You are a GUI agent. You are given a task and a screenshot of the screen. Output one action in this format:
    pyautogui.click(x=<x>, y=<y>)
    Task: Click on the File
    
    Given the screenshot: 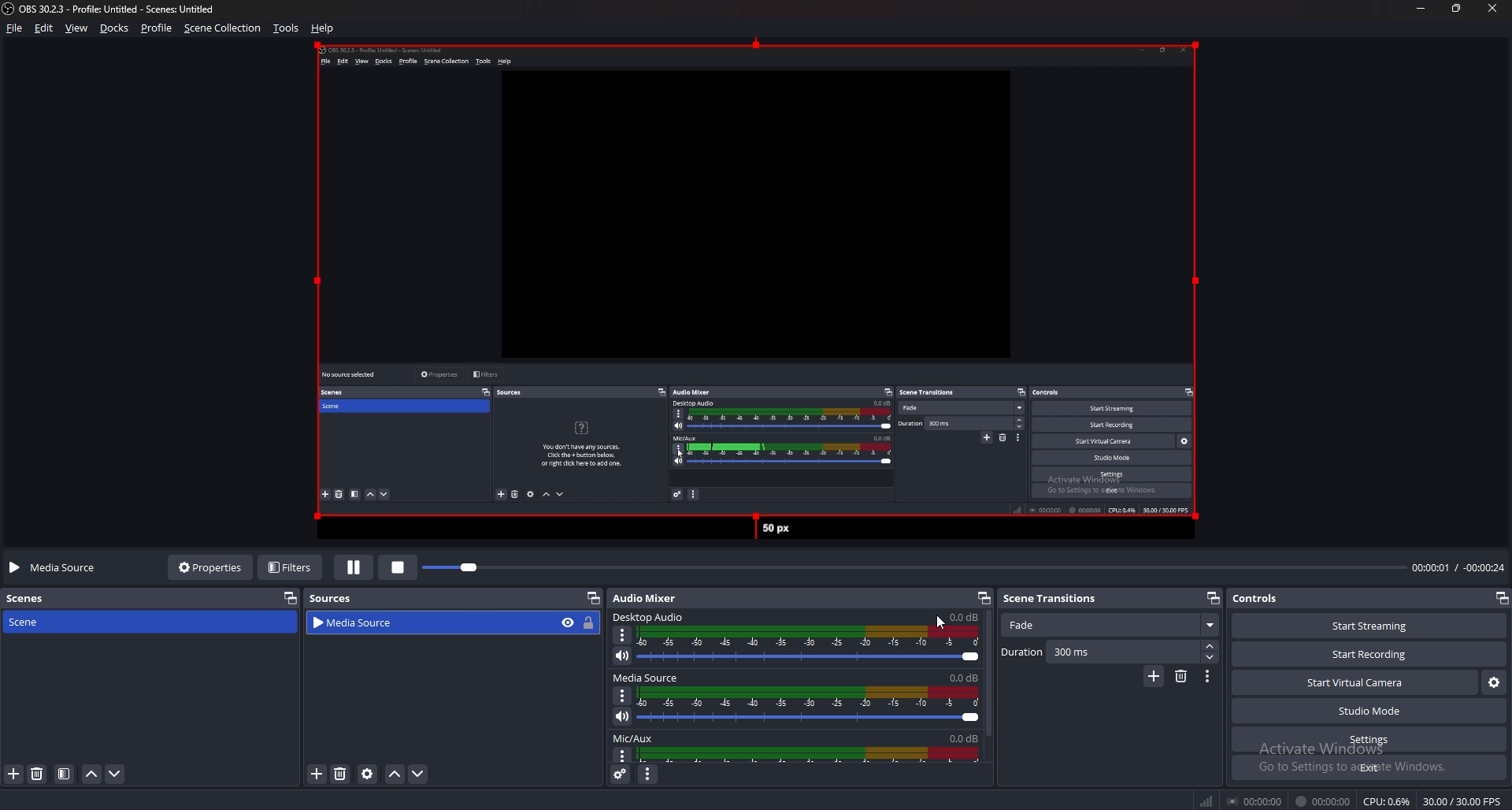 What is the action you would take?
    pyautogui.click(x=17, y=28)
    